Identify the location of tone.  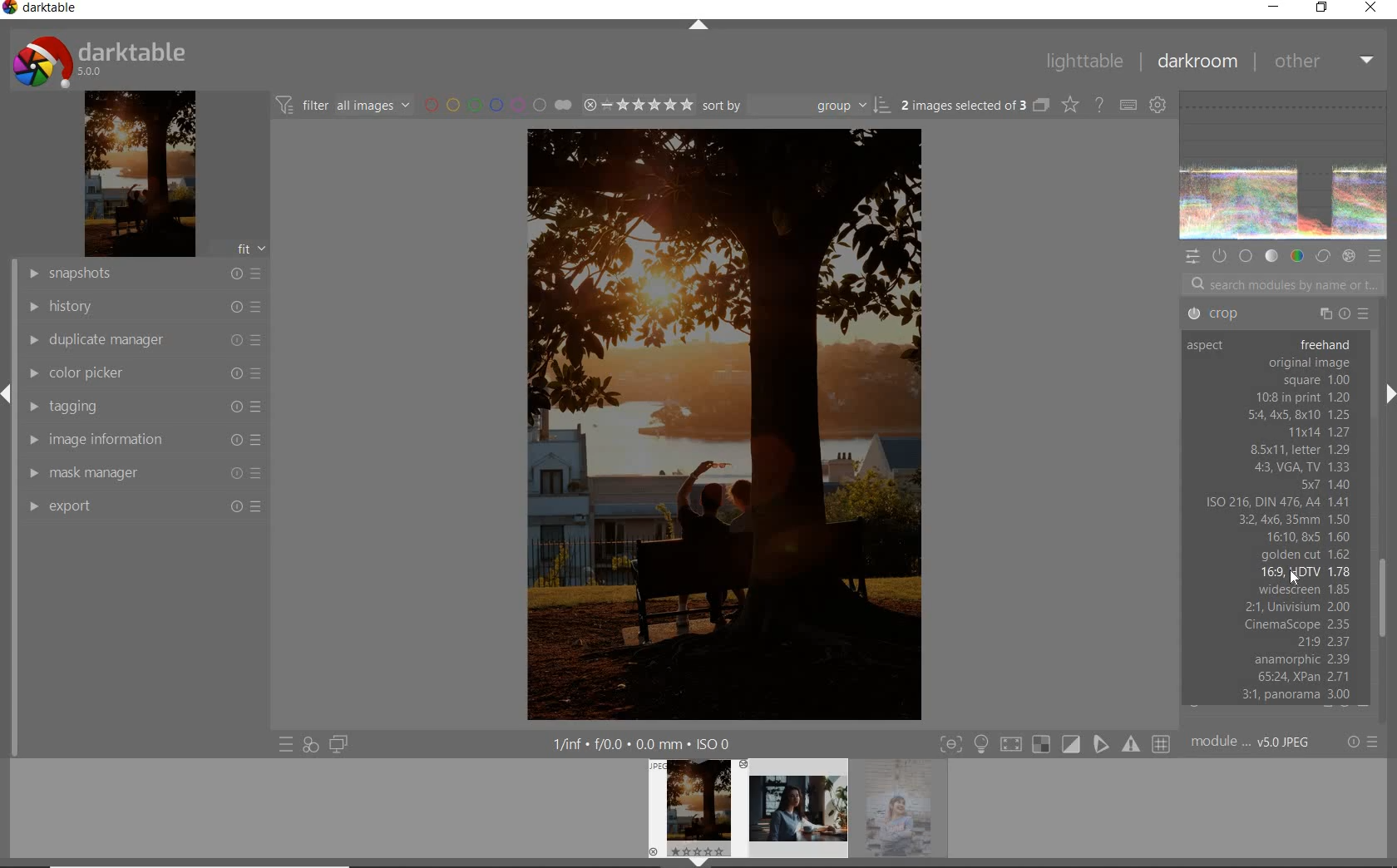
(1272, 256).